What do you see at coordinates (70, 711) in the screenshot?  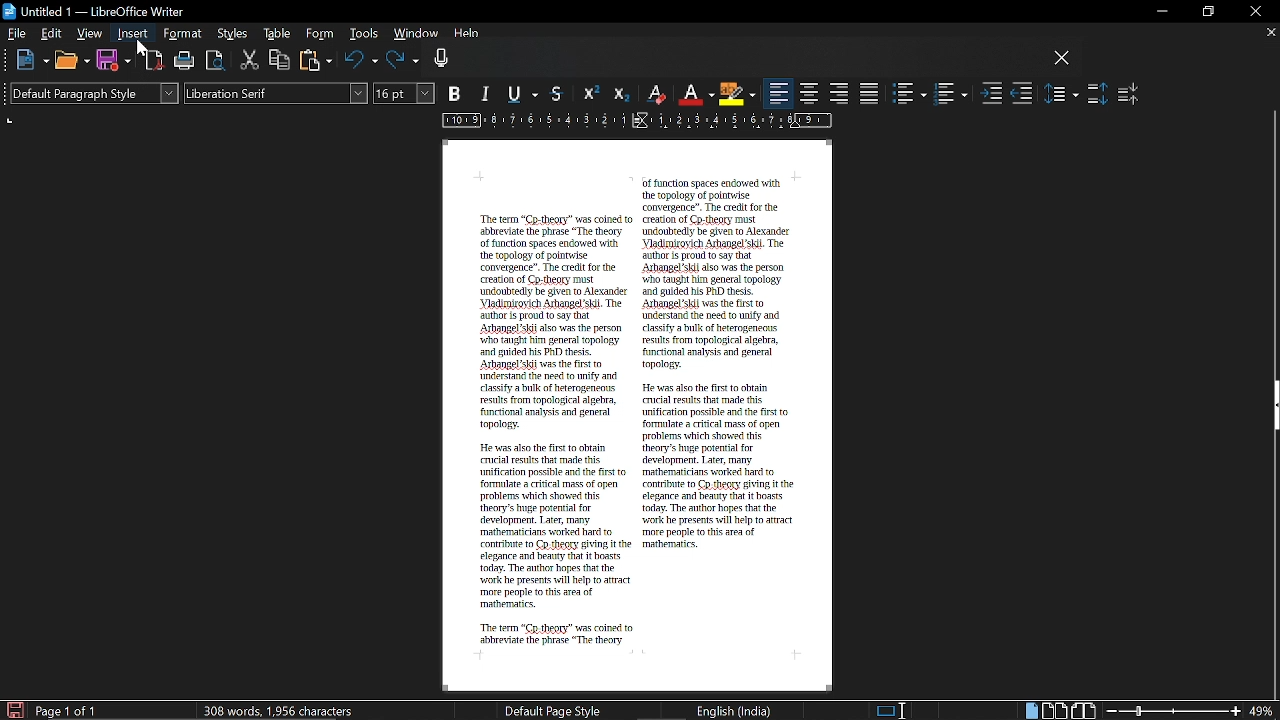 I see `page 1 of 1` at bounding box center [70, 711].